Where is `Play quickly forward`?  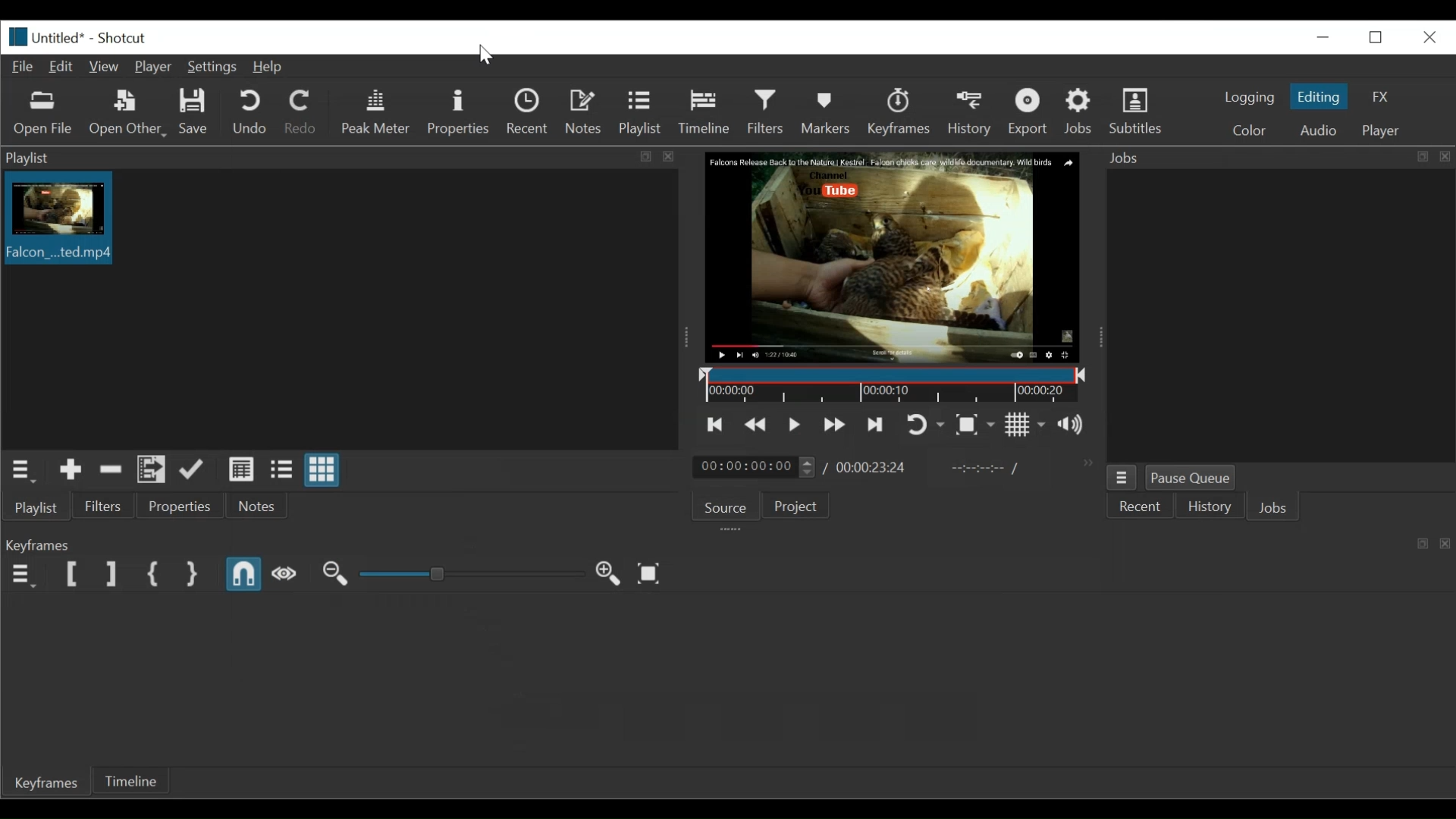 Play quickly forward is located at coordinates (834, 425).